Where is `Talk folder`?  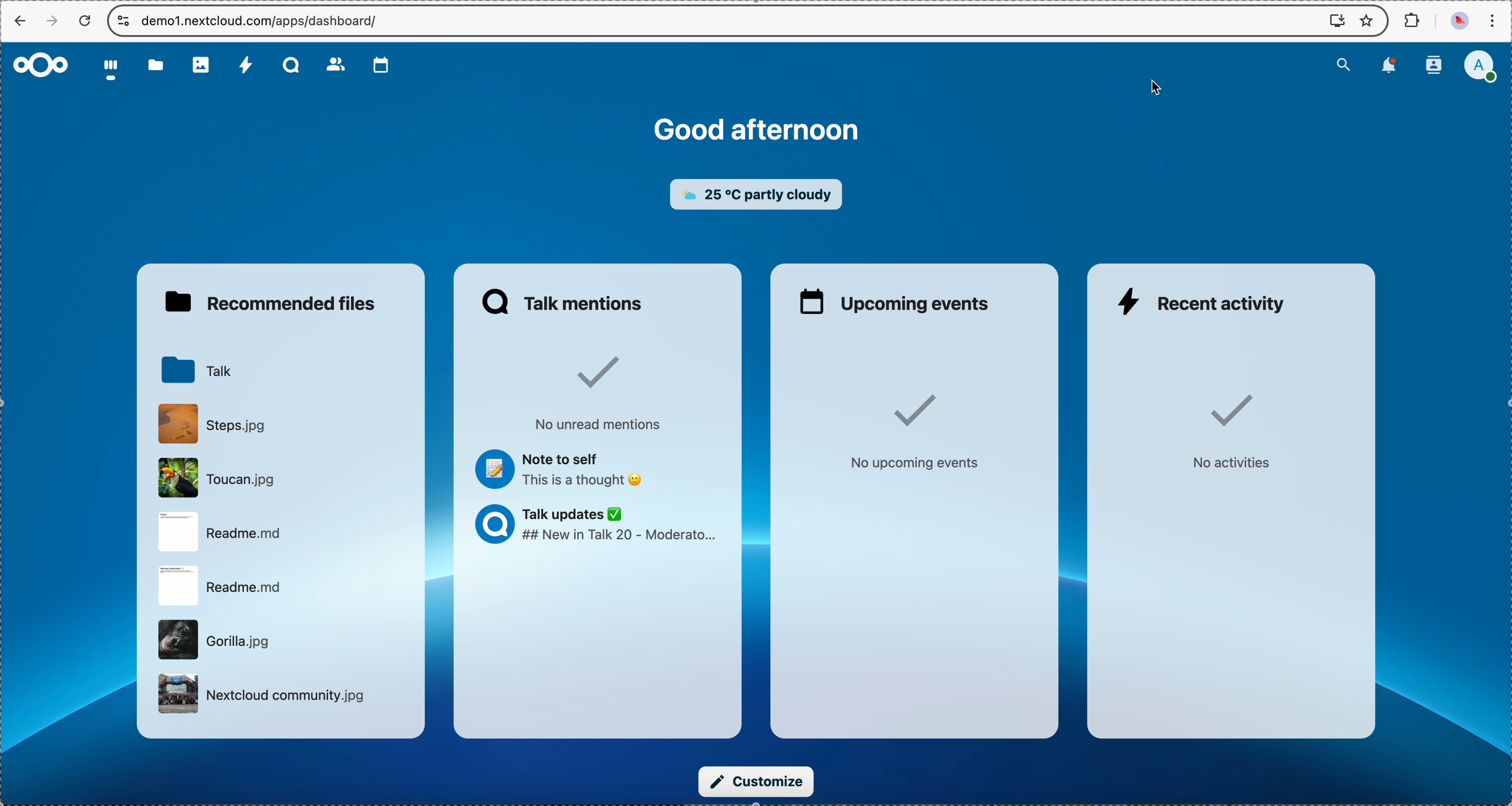 Talk folder is located at coordinates (192, 372).